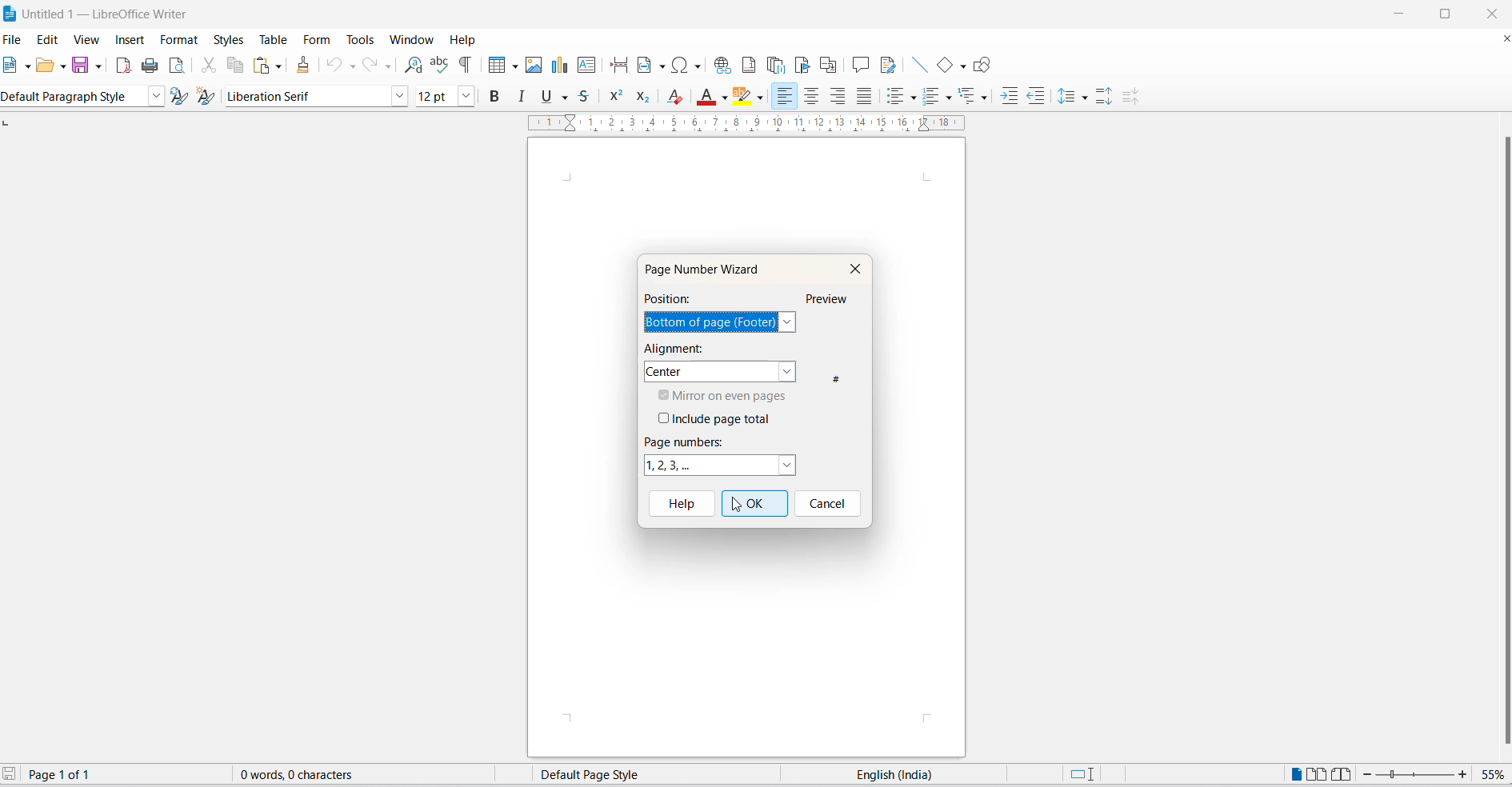 This screenshot has width=1512, height=787. I want to click on table grid, so click(513, 66).